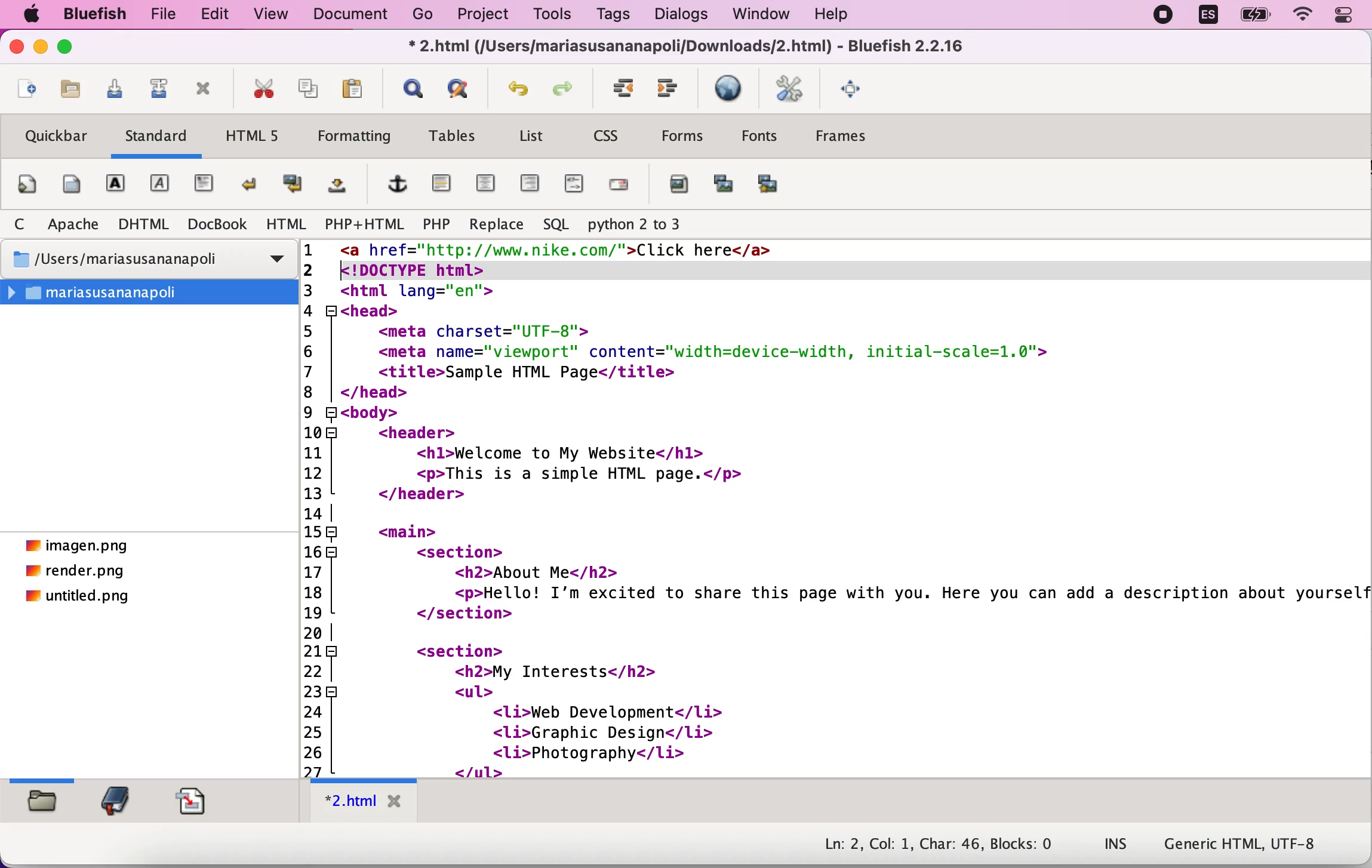 The image size is (1372, 868). I want to click on recording, so click(1164, 18).